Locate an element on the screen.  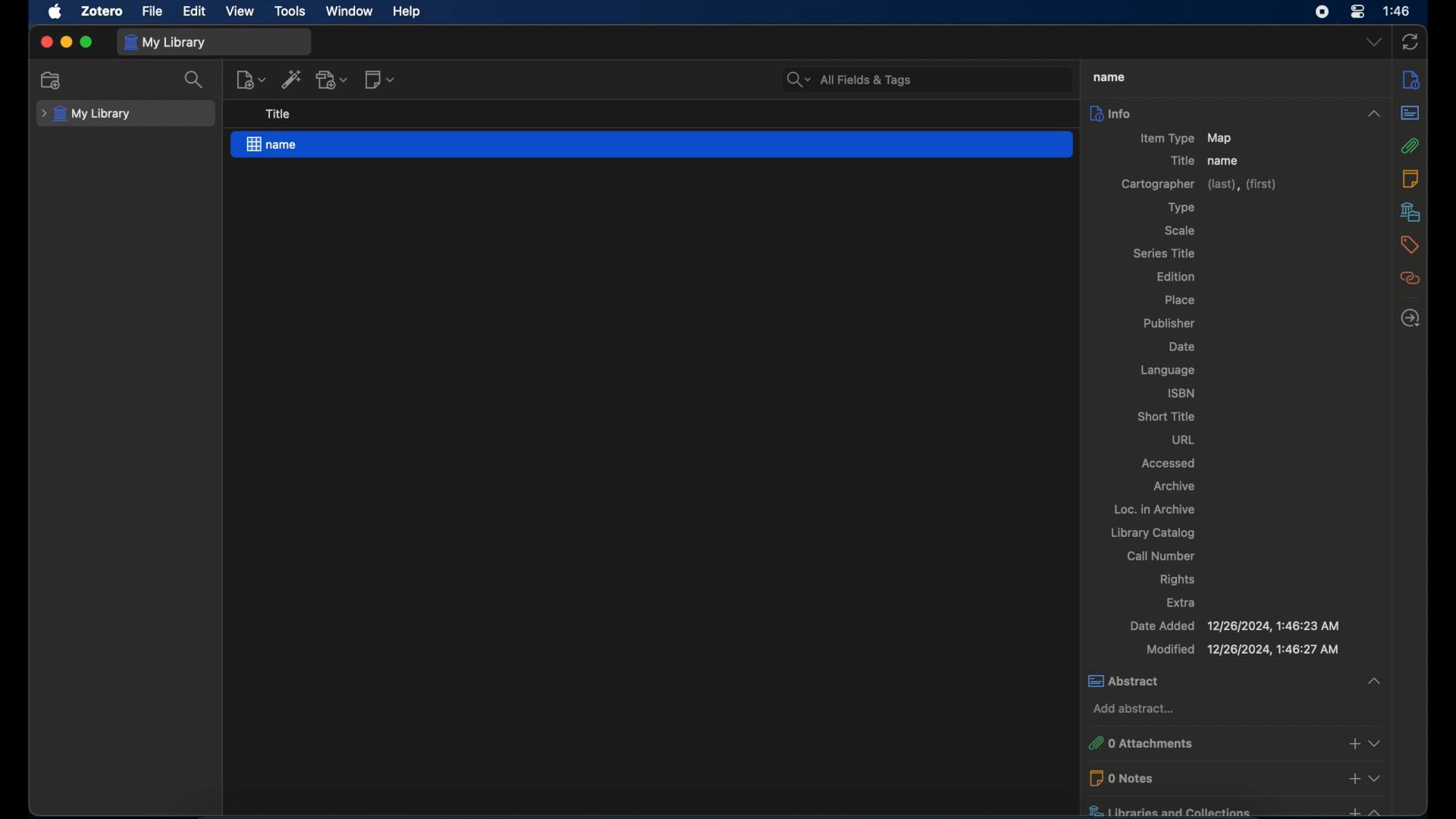
edition is located at coordinates (1177, 276).